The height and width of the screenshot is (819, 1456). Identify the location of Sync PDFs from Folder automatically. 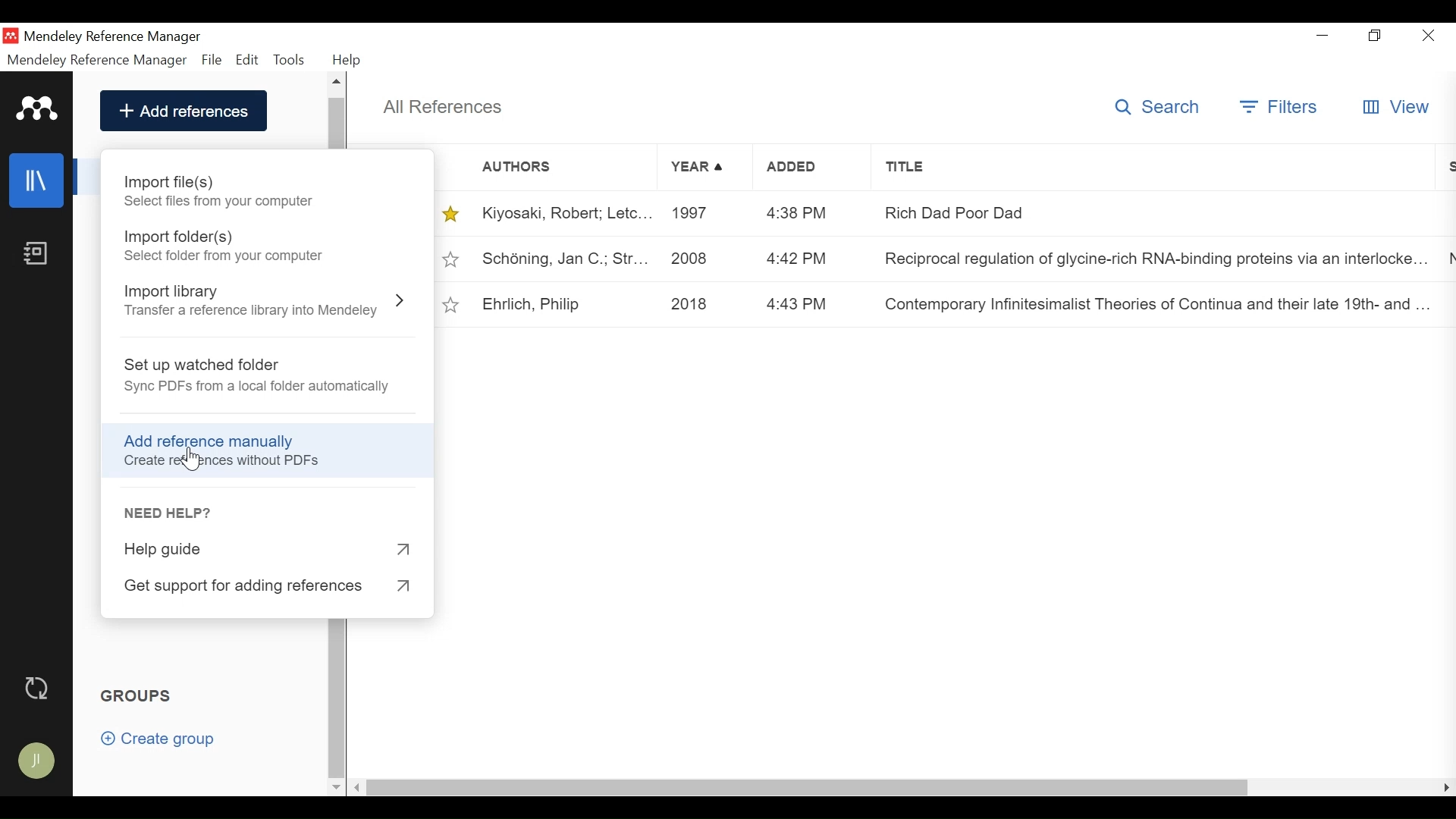
(262, 388).